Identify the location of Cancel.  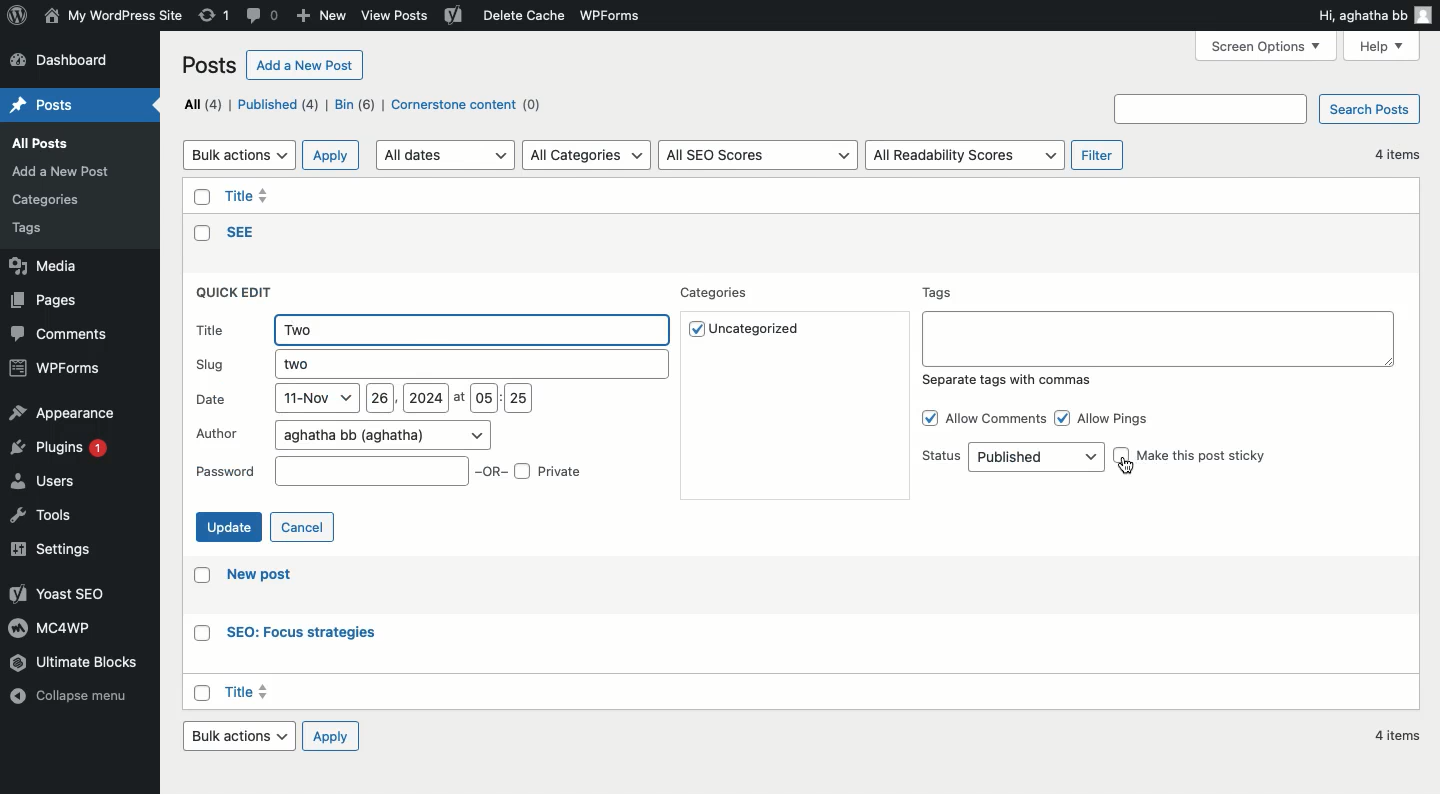
(304, 526).